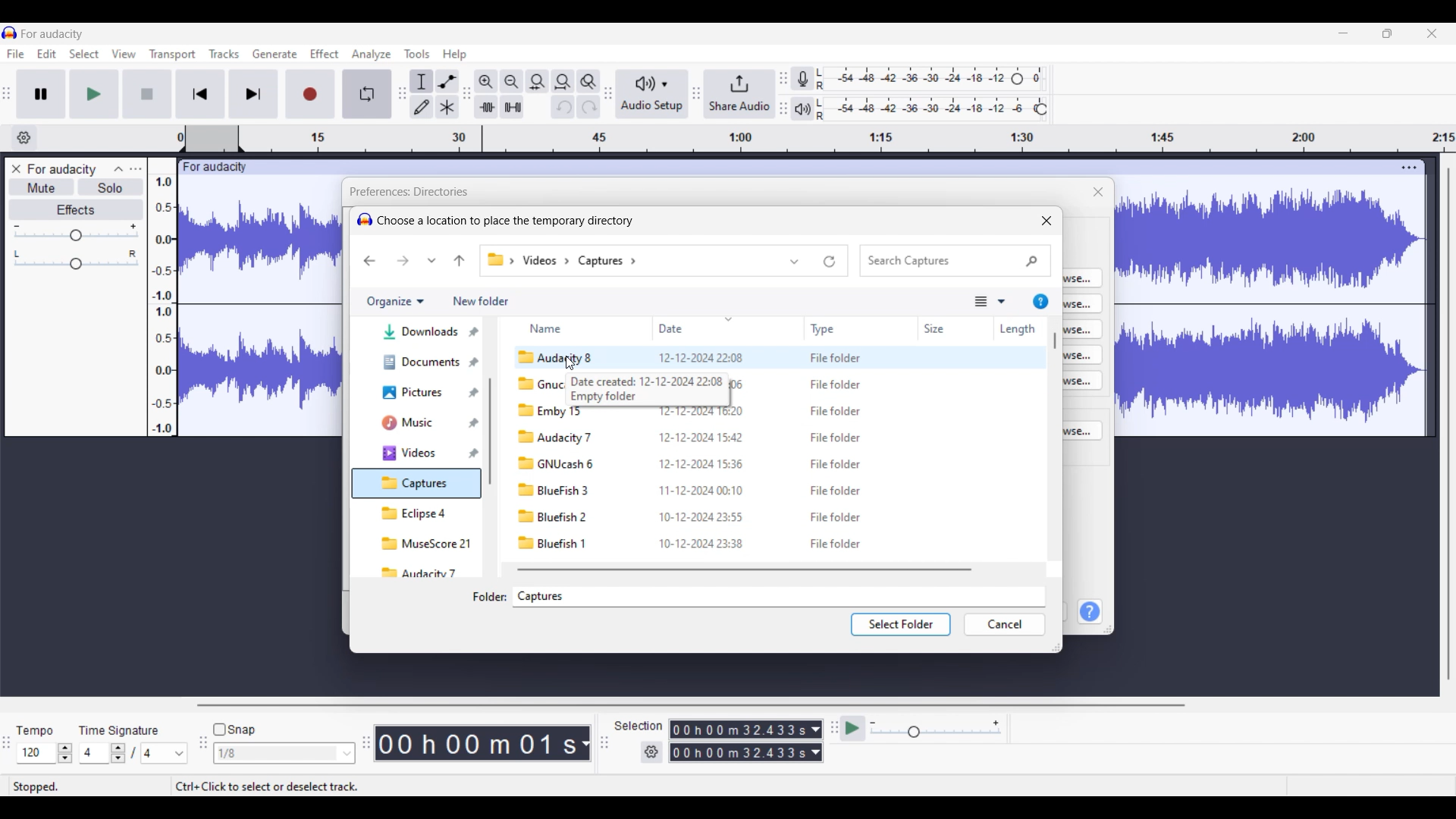 The height and width of the screenshot is (819, 1456). I want to click on Close interface, so click(1432, 33).